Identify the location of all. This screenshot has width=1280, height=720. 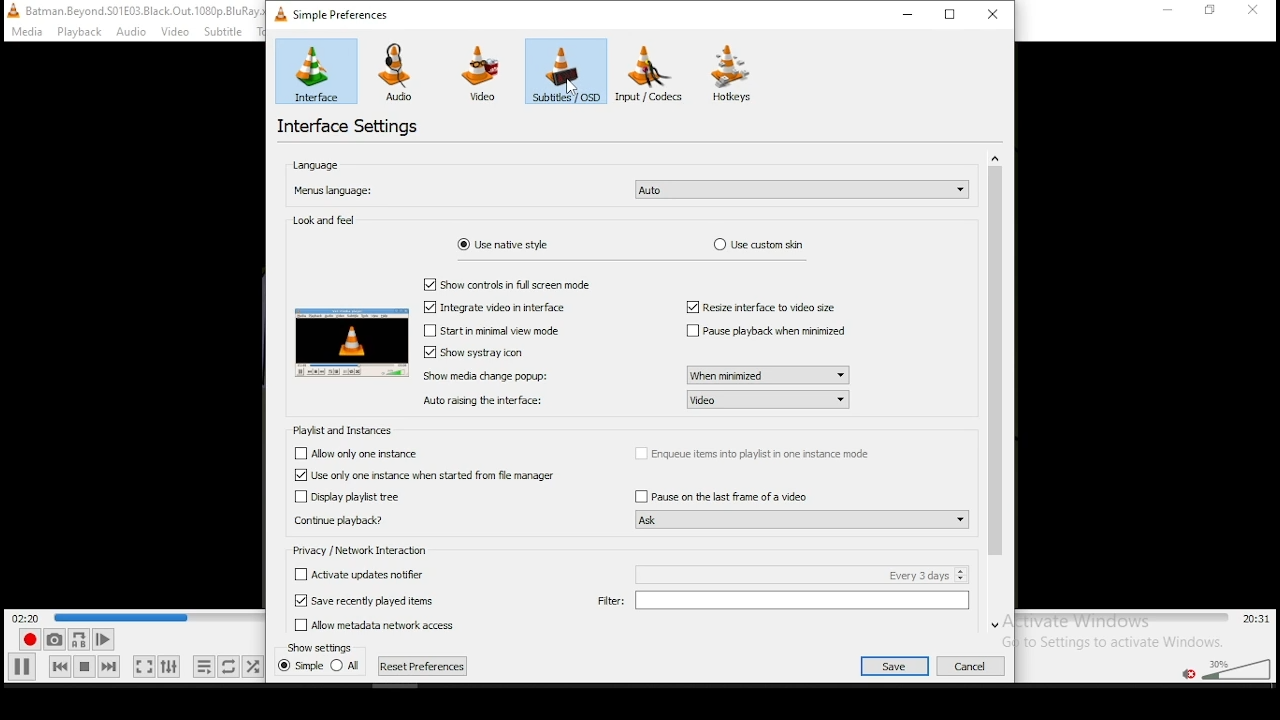
(345, 664).